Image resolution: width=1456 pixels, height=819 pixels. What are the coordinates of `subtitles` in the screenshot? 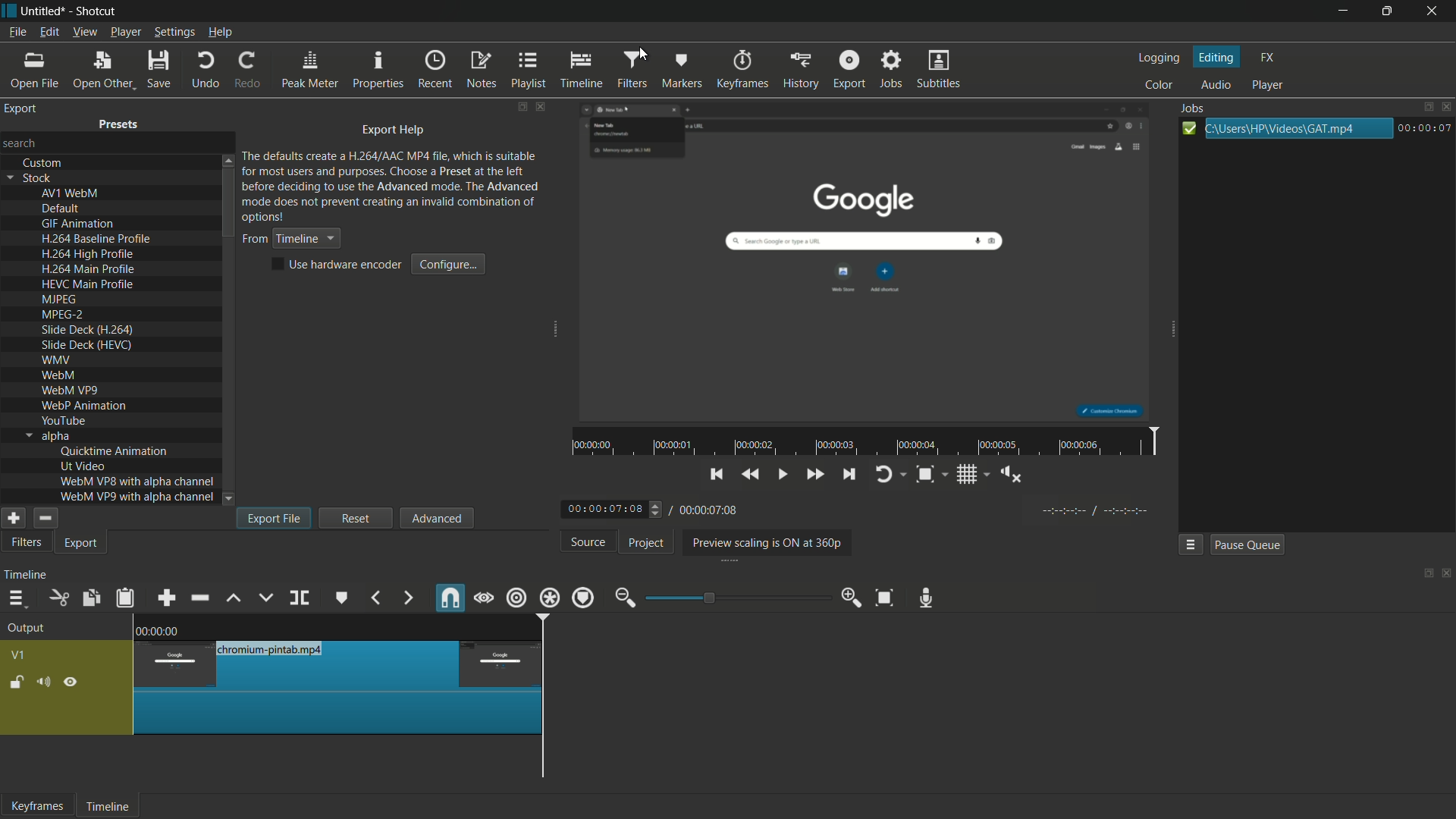 It's located at (940, 68).